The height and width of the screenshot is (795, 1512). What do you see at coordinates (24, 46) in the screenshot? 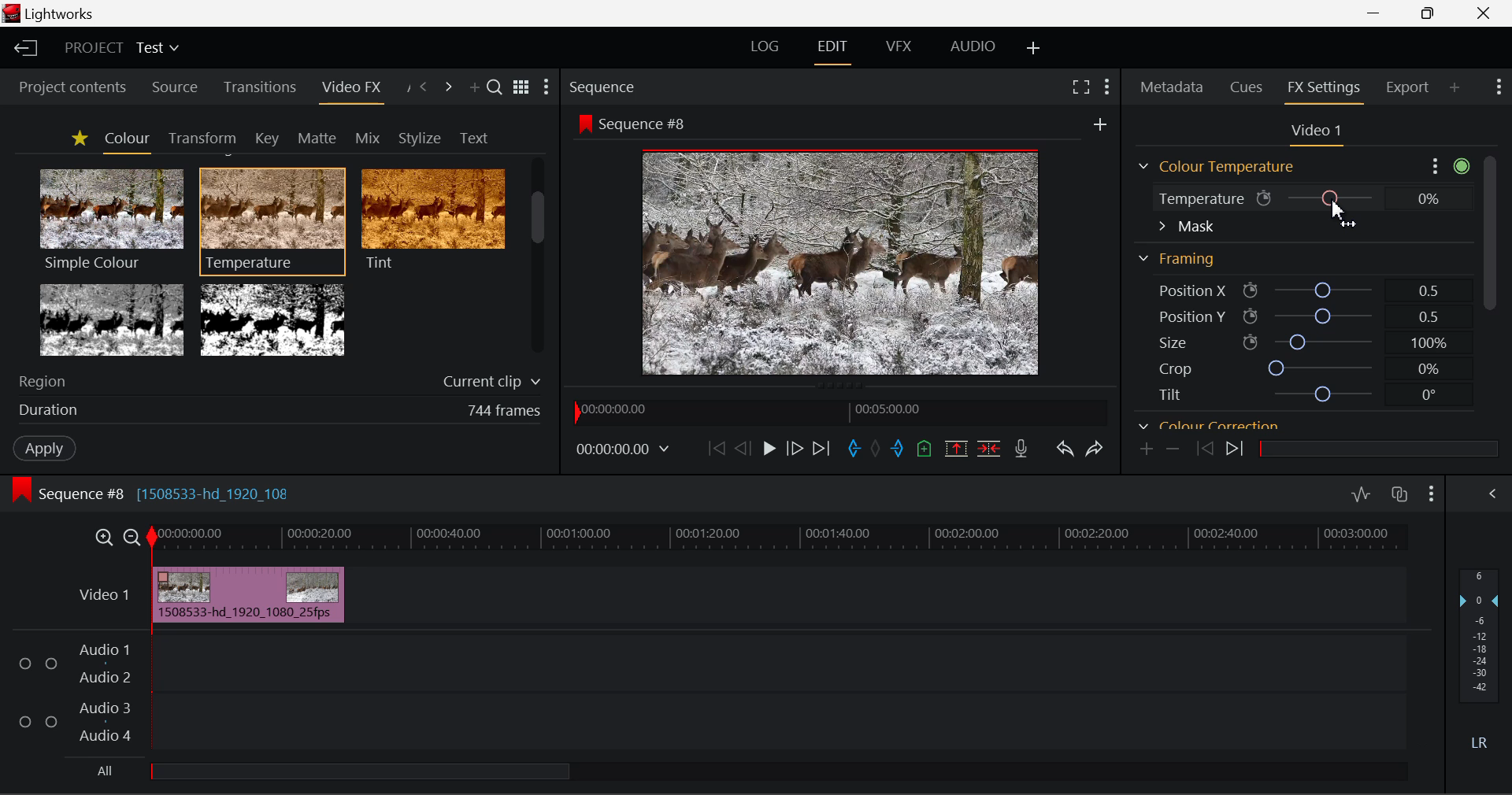
I see `Back to Homepage` at bounding box center [24, 46].